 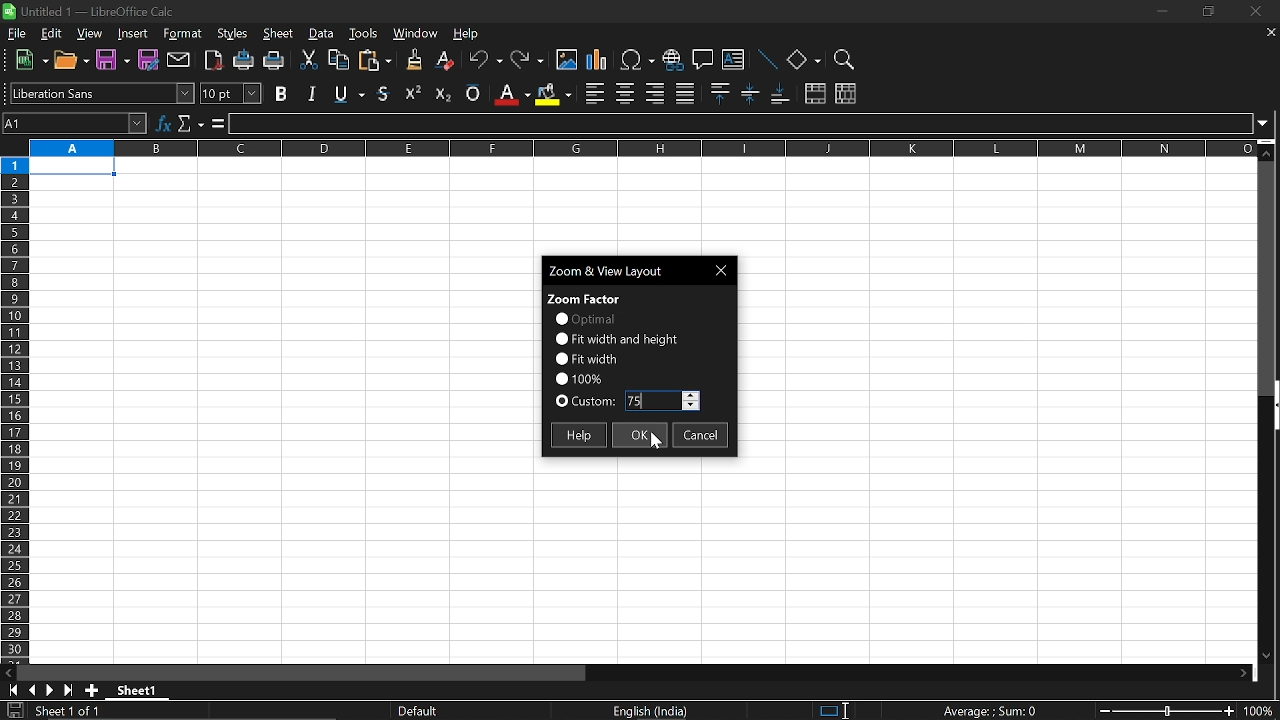 What do you see at coordinates (1269, 34) in the screenshot?
I see `close current sheet` at bounding box center [1269, 34].